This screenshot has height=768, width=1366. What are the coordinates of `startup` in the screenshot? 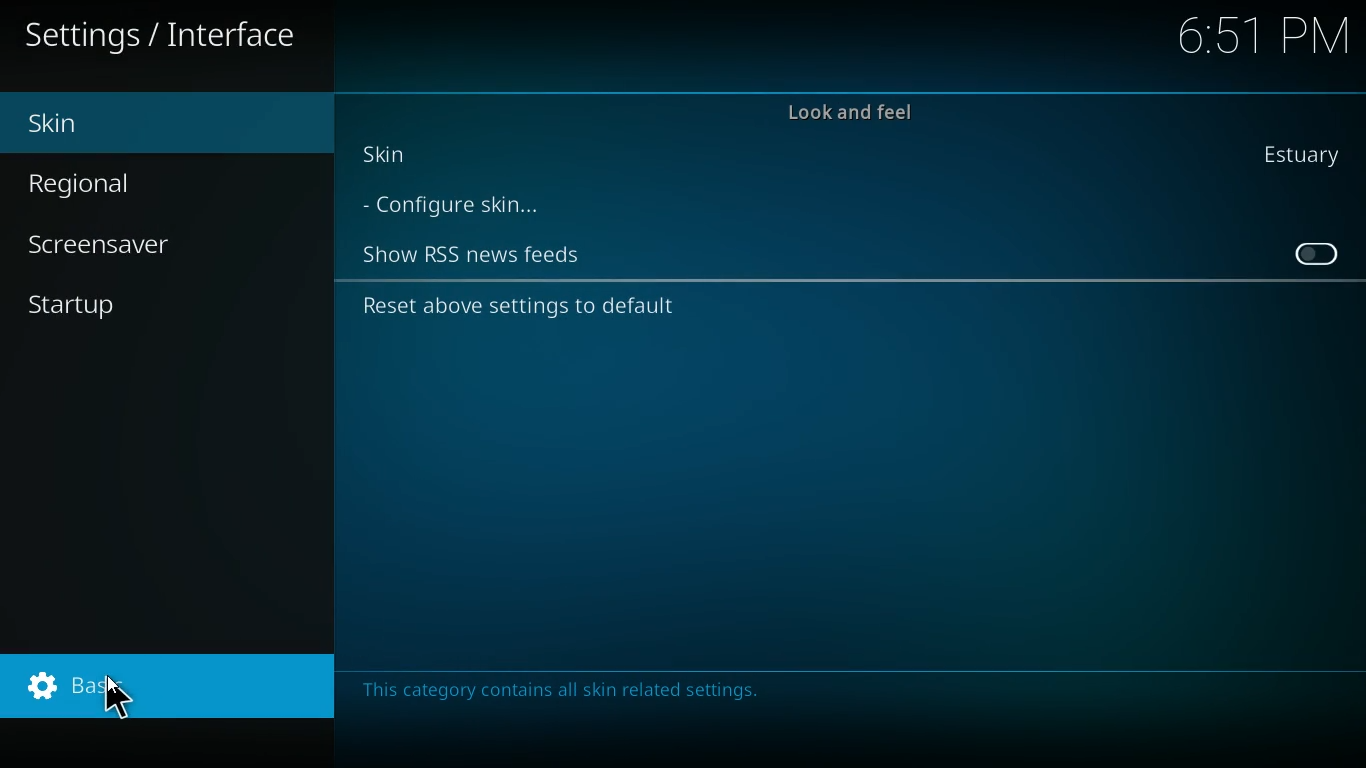 It's located at (136, 312).